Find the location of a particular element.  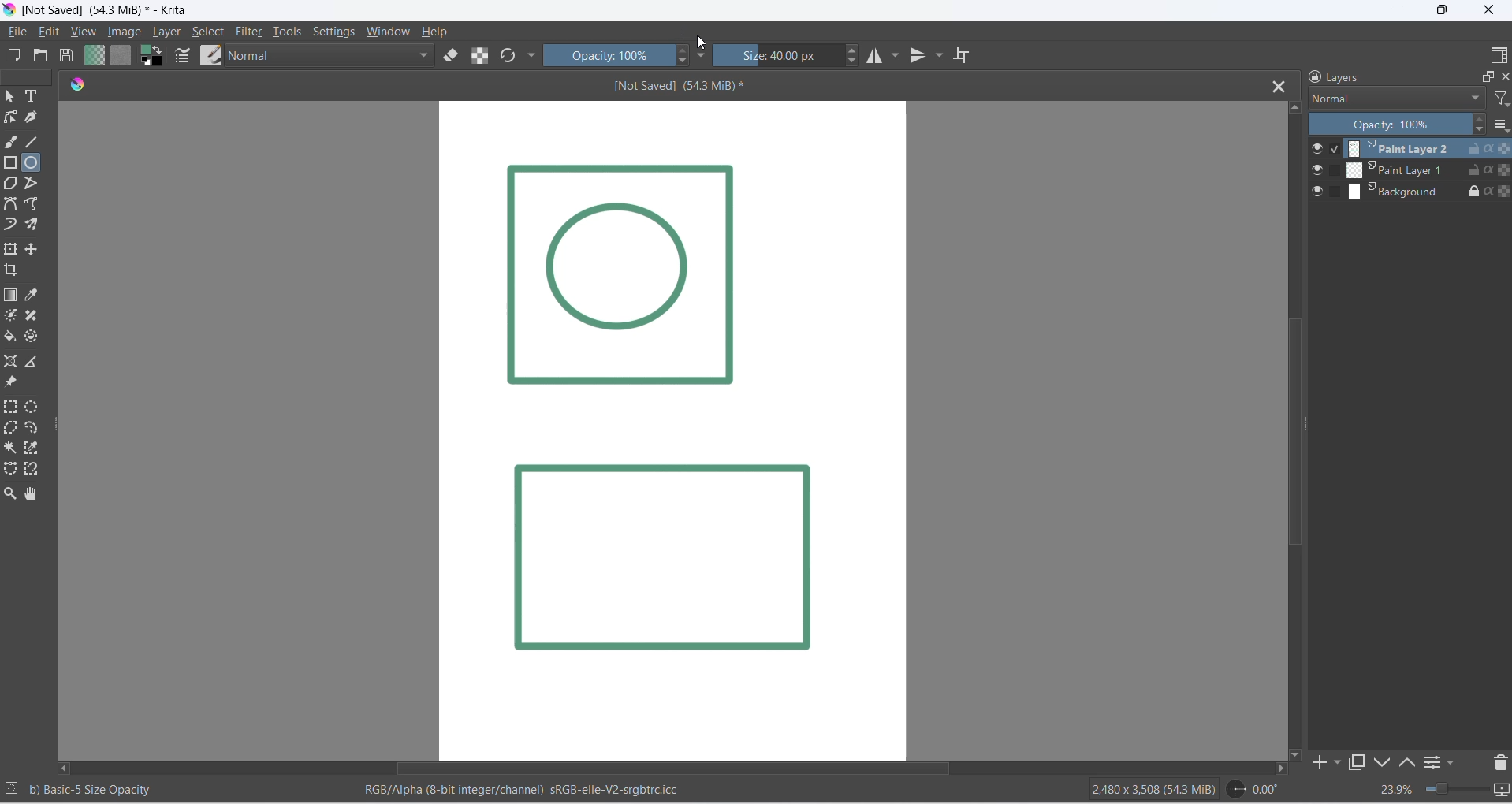

tools is located at coordinates (288, 32).